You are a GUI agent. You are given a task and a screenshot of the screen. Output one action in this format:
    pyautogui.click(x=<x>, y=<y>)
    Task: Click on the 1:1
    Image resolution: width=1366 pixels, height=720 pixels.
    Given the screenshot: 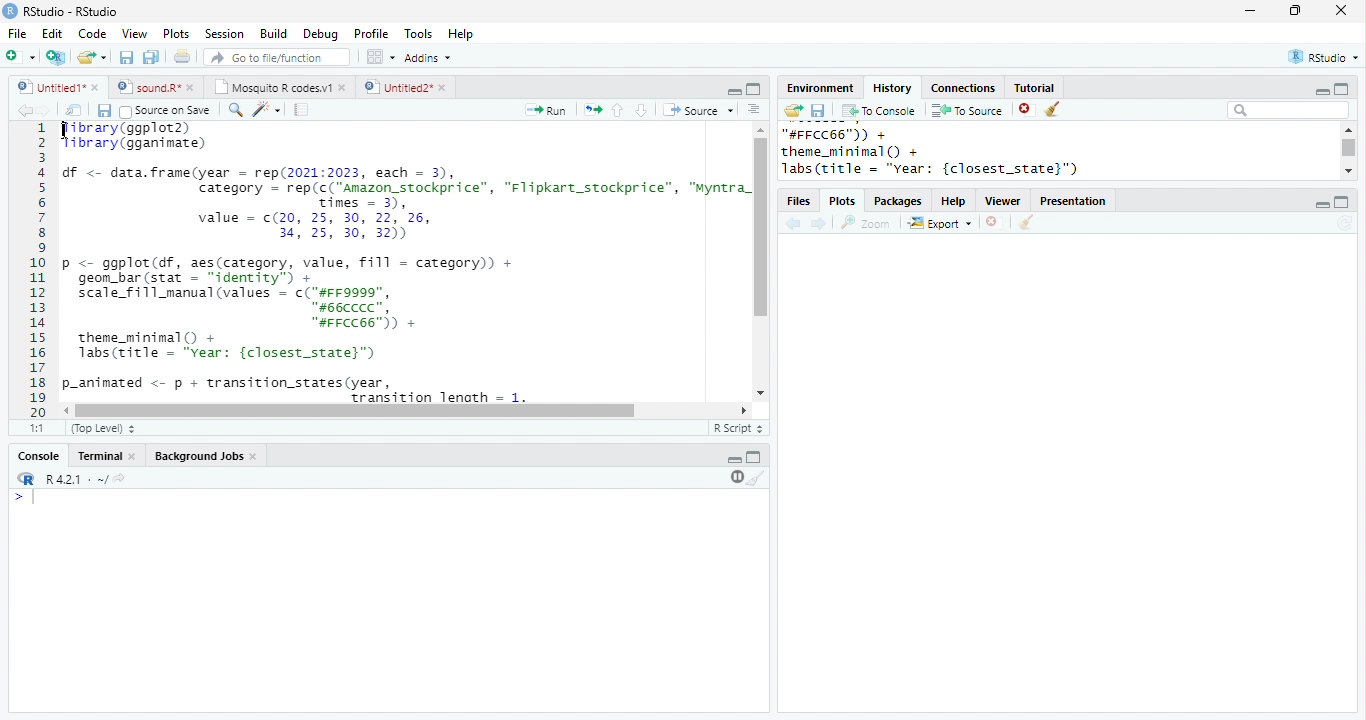 What is the action you would take?
    pyautogui.click(x=37, y=428)
    